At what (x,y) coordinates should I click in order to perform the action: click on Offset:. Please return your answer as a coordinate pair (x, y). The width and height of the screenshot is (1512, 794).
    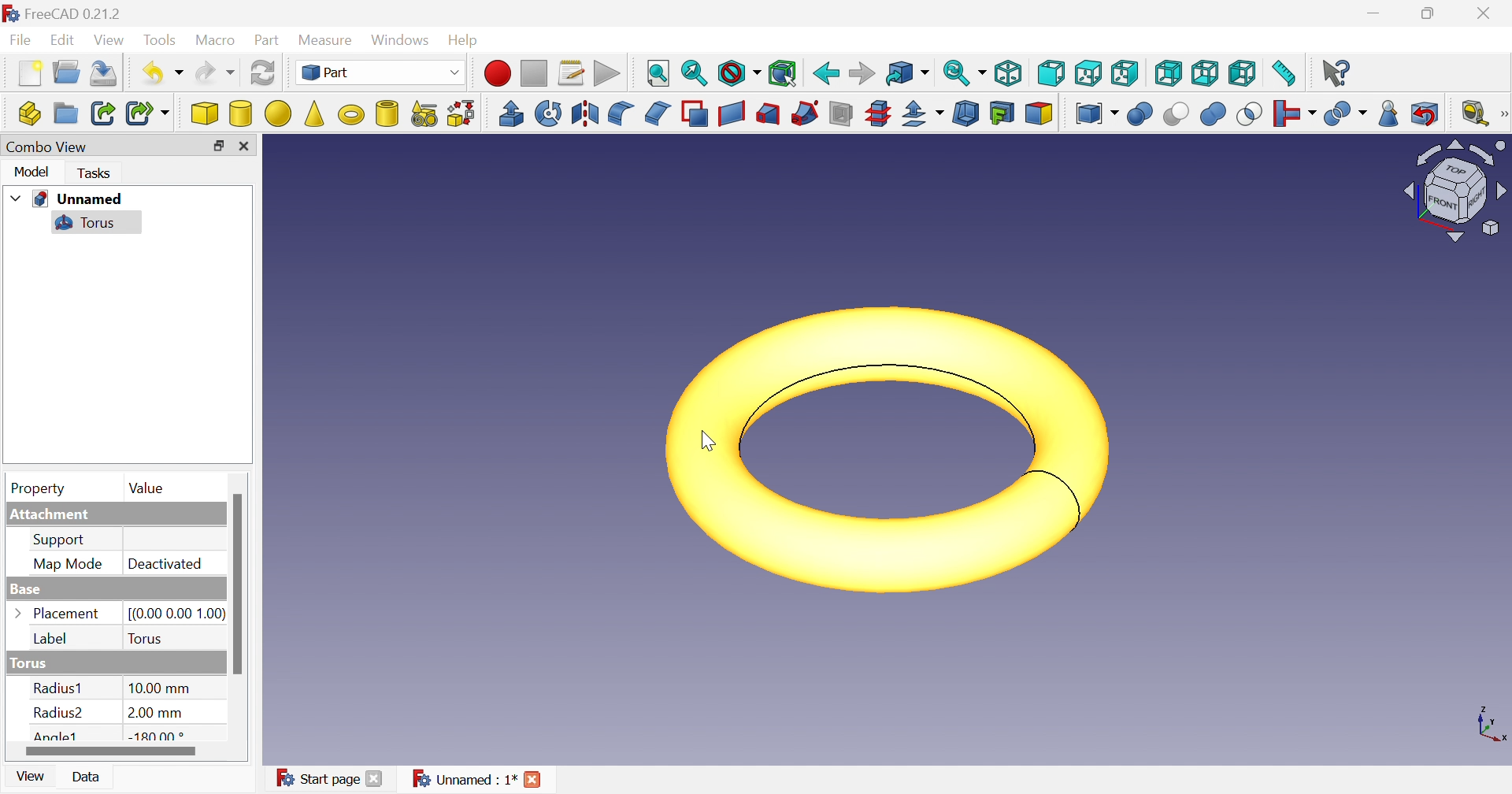
    Looking at the image, I should click on (924, 114).